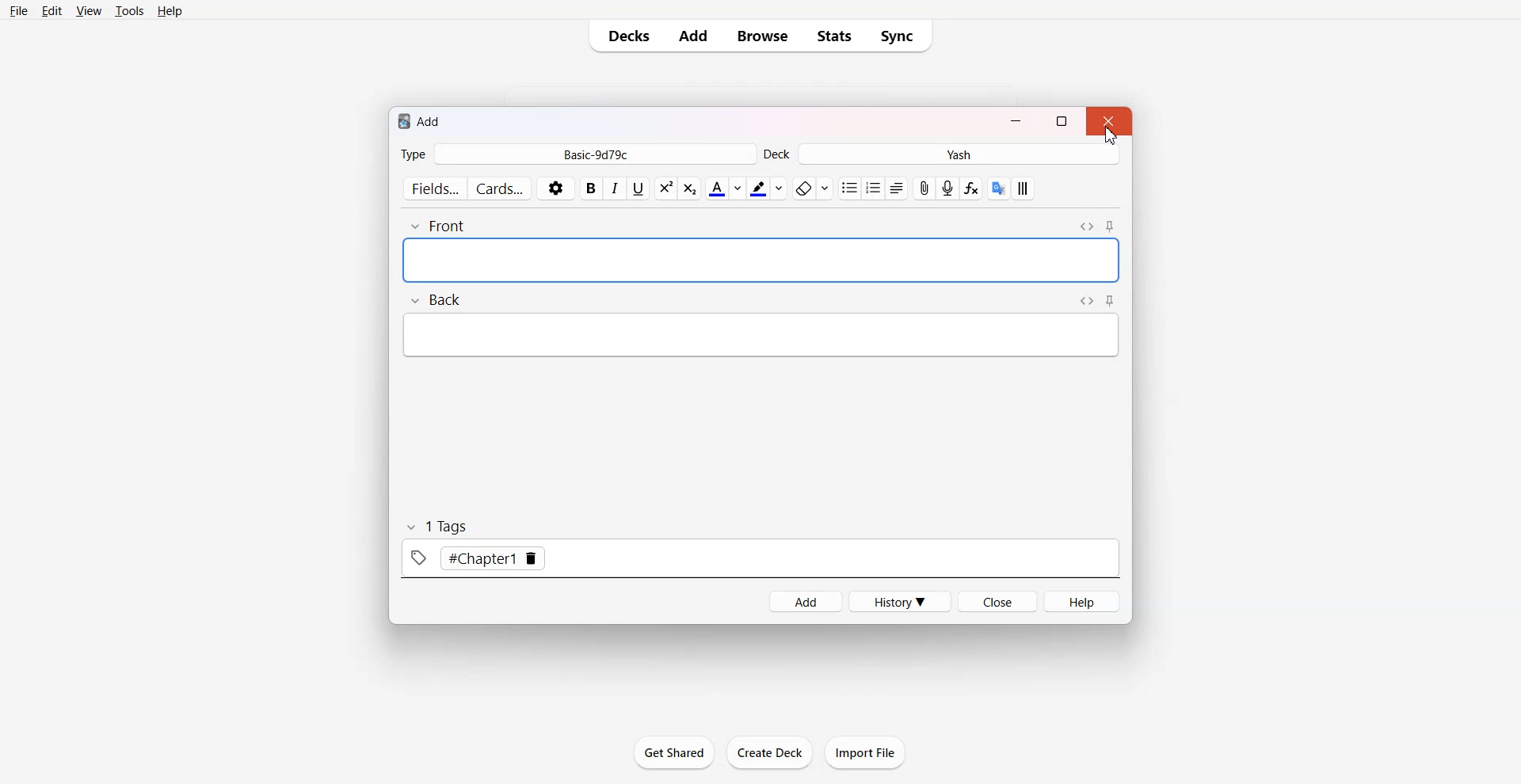 This screenshot has width=1521, height=784. What do you see at coordinates (1087, 226) in the screenshot?
I see `Toggle HTML Editor` at bounding box center [1087, 226].